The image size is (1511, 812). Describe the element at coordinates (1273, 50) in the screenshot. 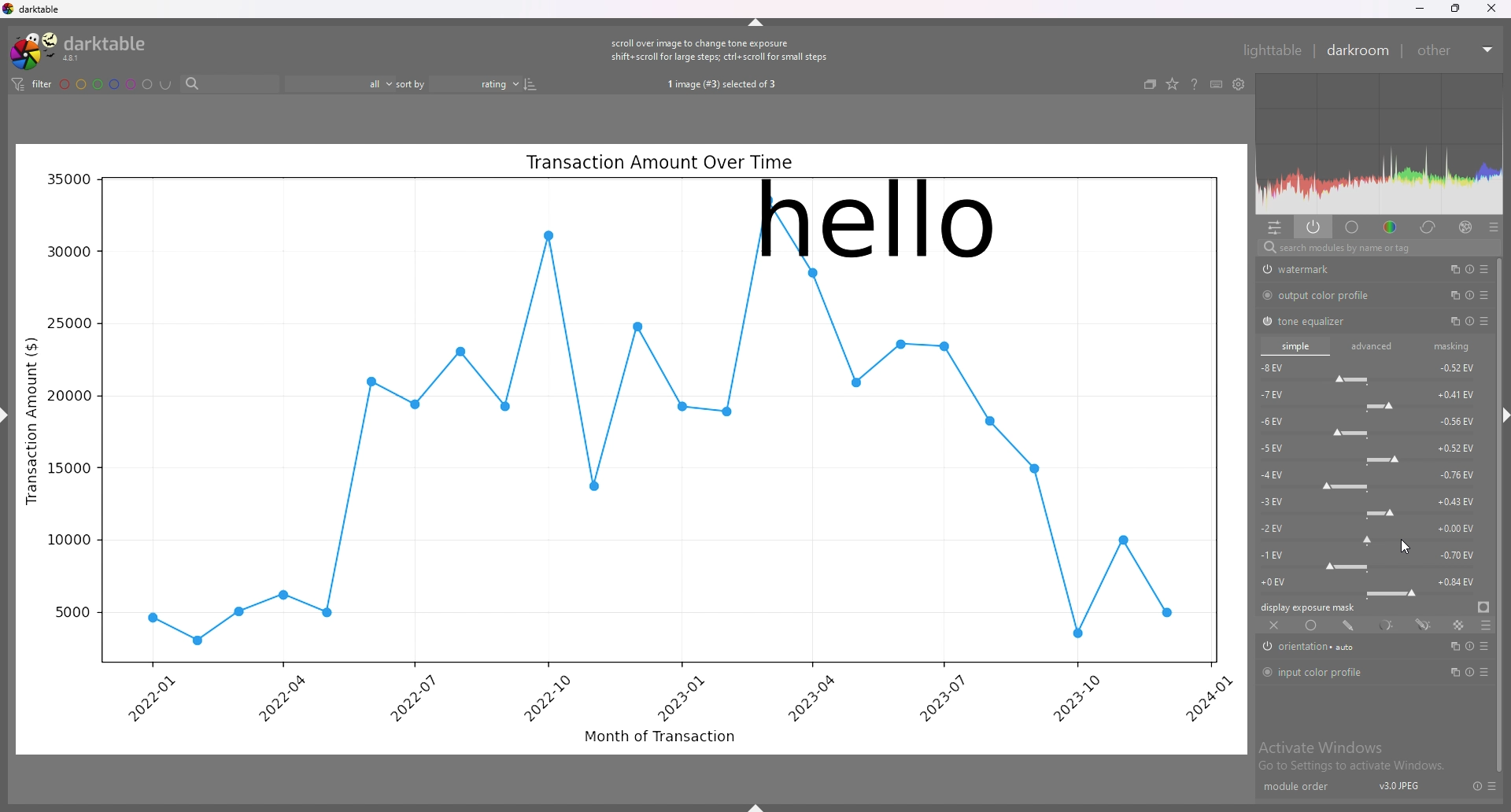

I see `lighttable` at that location.